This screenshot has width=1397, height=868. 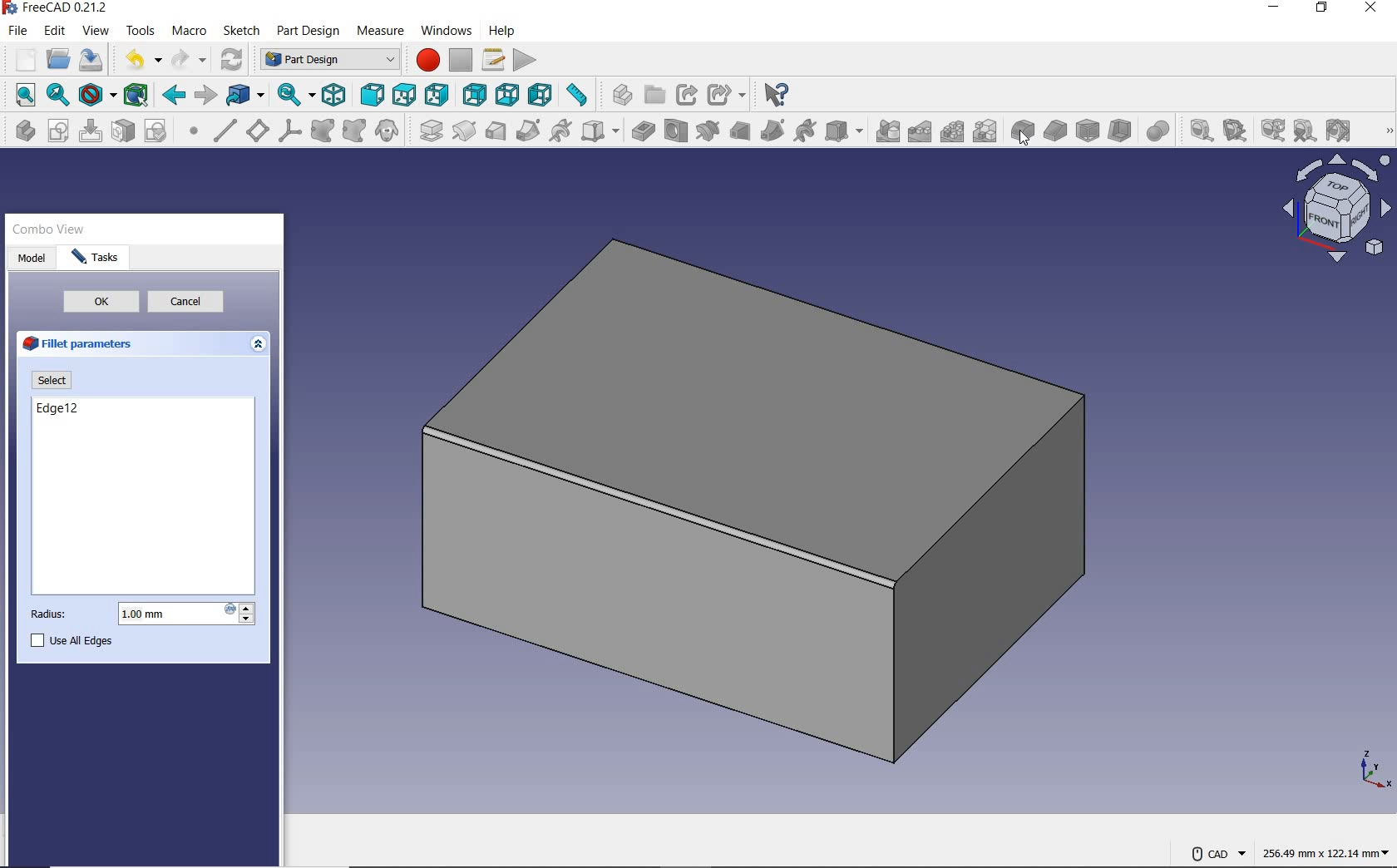 I want to click on create multitransform, so click(x=984, y=132).